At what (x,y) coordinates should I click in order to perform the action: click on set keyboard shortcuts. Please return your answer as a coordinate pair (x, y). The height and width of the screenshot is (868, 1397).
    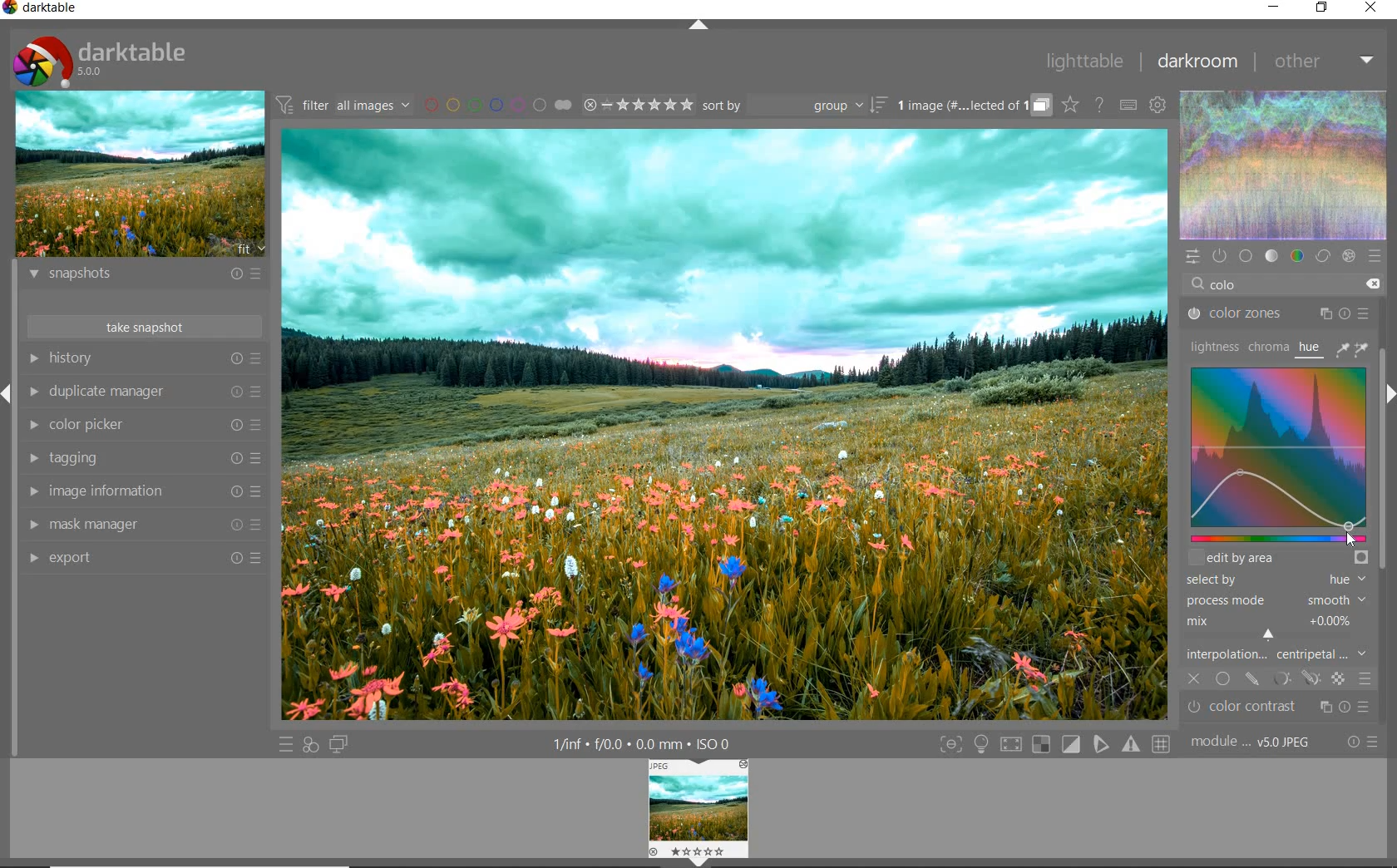
    Looking at the image, I should click on (1127, 106).